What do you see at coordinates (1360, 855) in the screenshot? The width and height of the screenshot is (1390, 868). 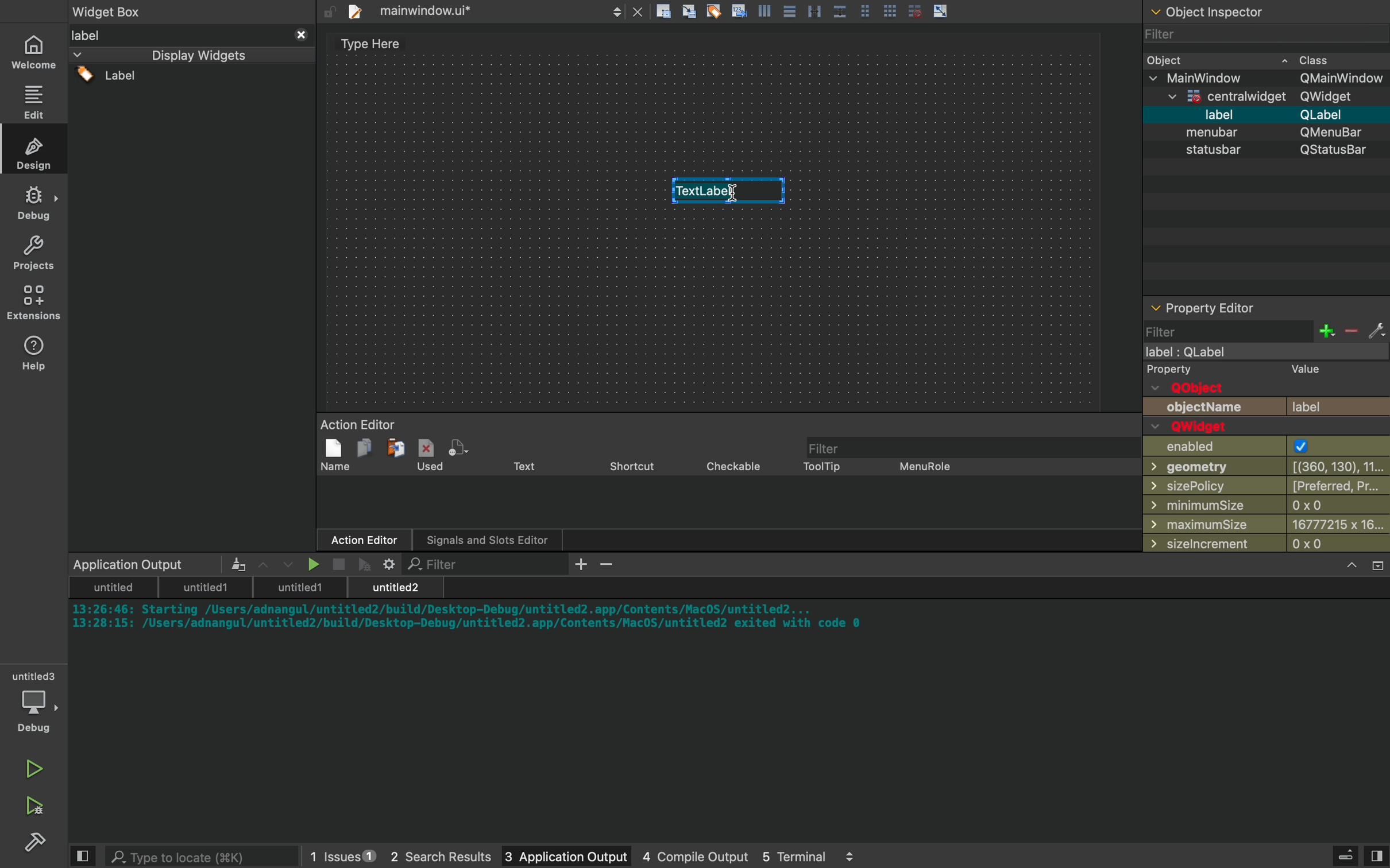 I see `` at bounding box center [1360, 855].